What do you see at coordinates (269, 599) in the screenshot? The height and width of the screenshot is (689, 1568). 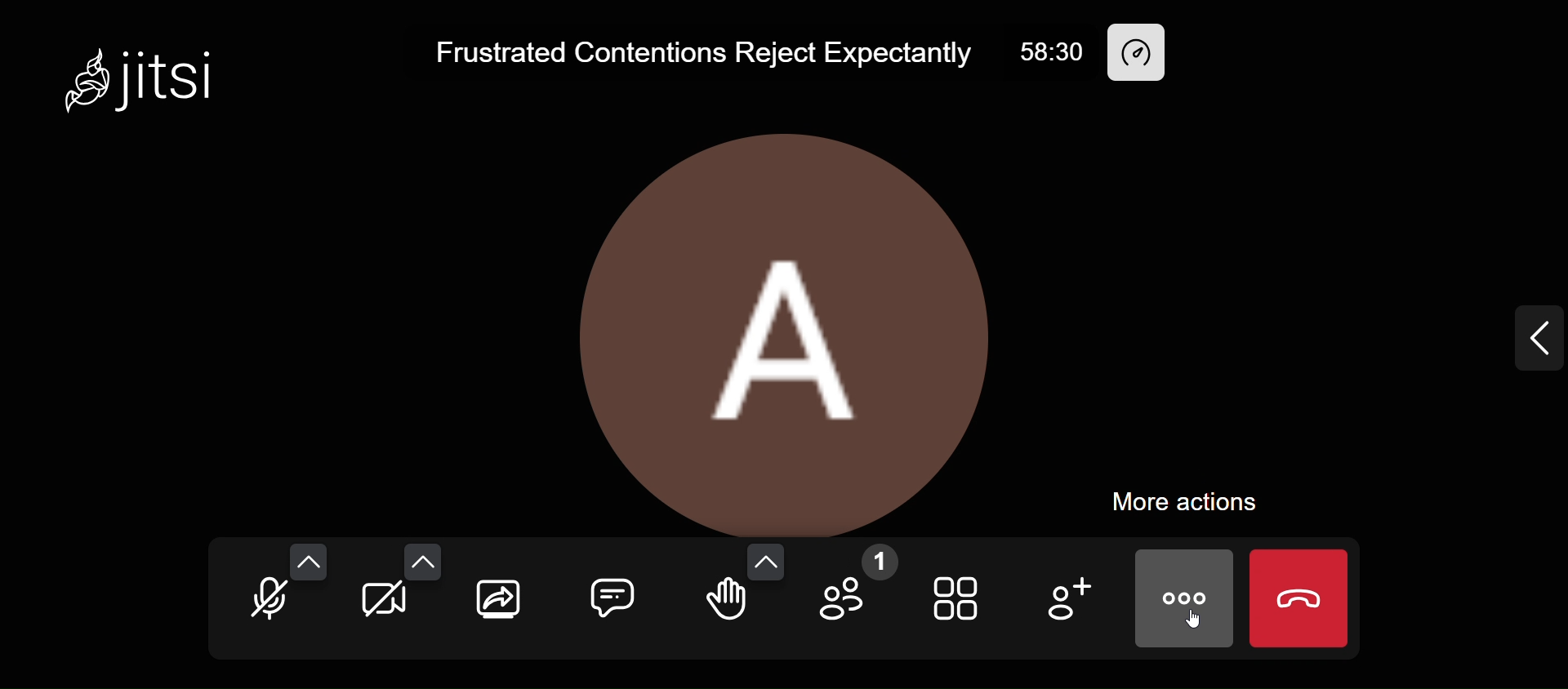 I see `unmute mic` at bounding box center [269, 599].